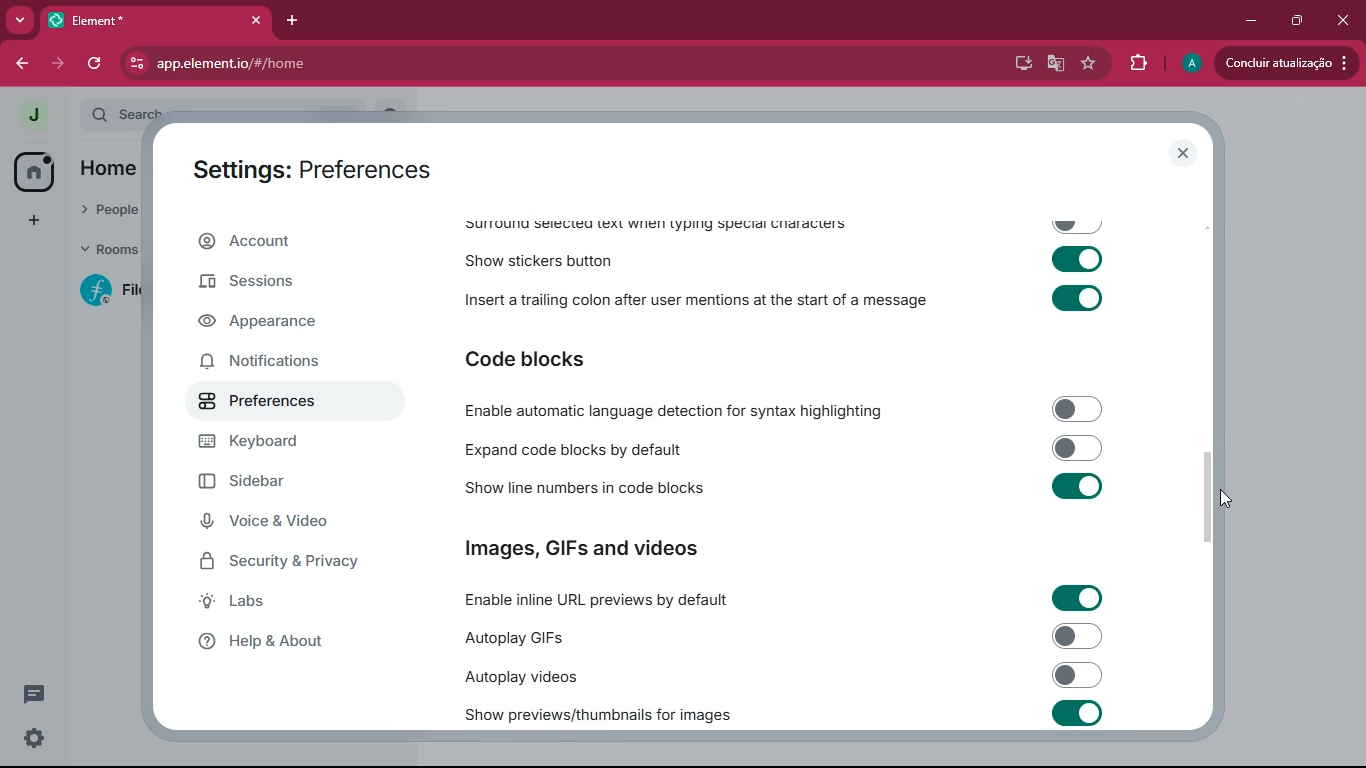 This screenshot has height=768, width=1366. Describe the element at coordinates (1213, 492) in the screenshot. I see `scroll bar ` at that location.